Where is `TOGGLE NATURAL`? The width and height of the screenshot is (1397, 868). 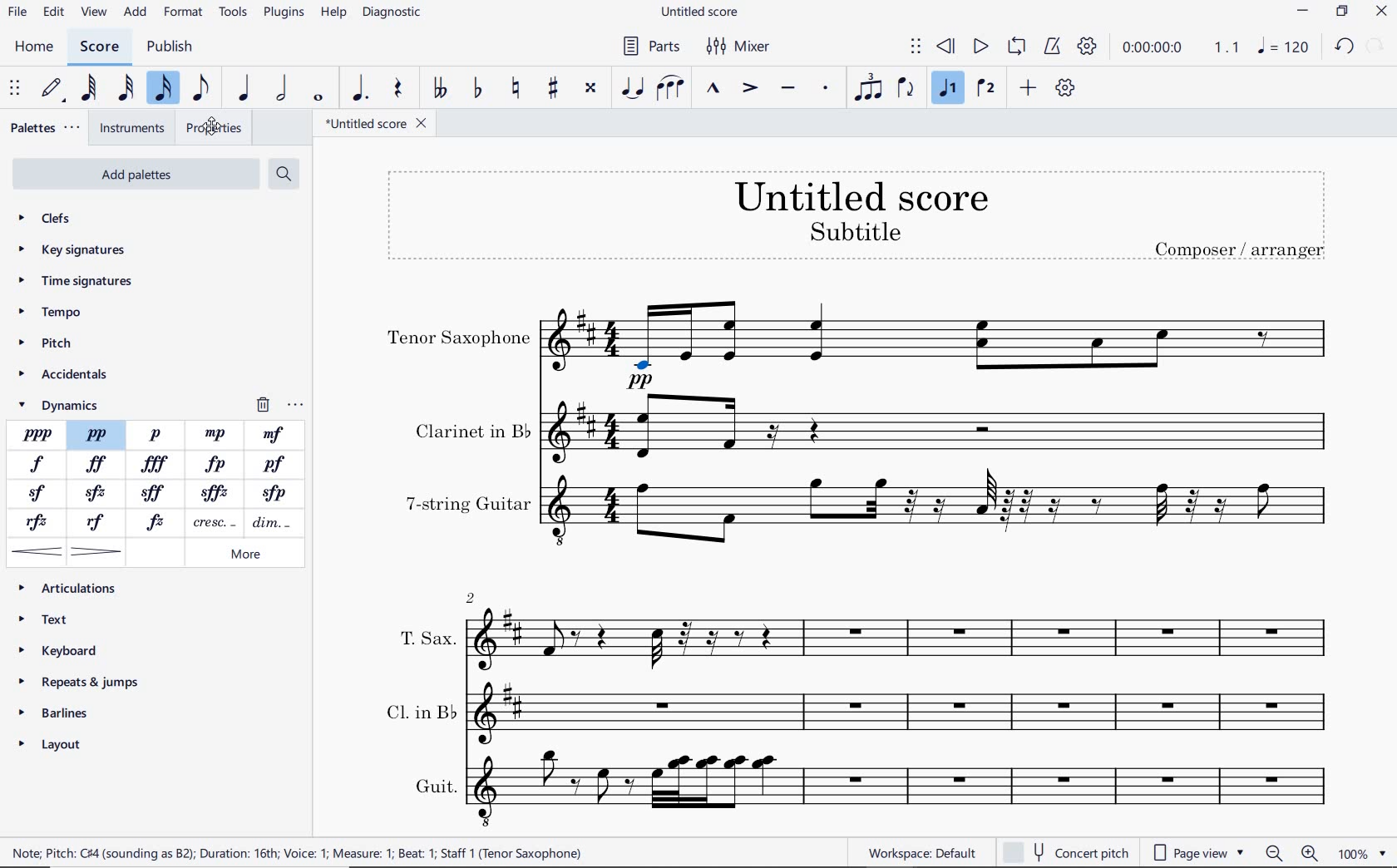
TOGGLE NATURAL is located at coordinates (516, 88).